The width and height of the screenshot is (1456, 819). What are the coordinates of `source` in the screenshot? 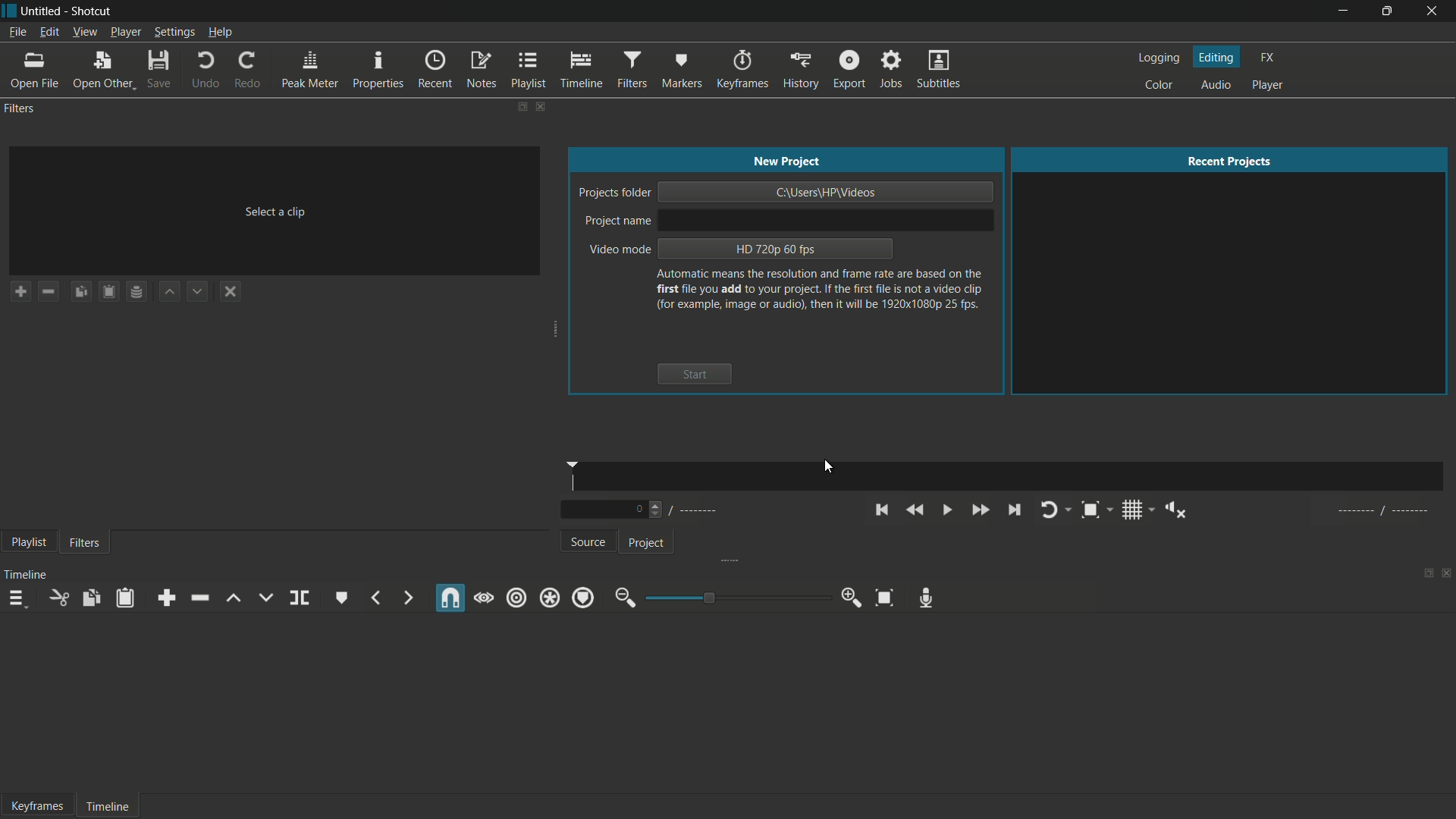 It's located at (591, 543).